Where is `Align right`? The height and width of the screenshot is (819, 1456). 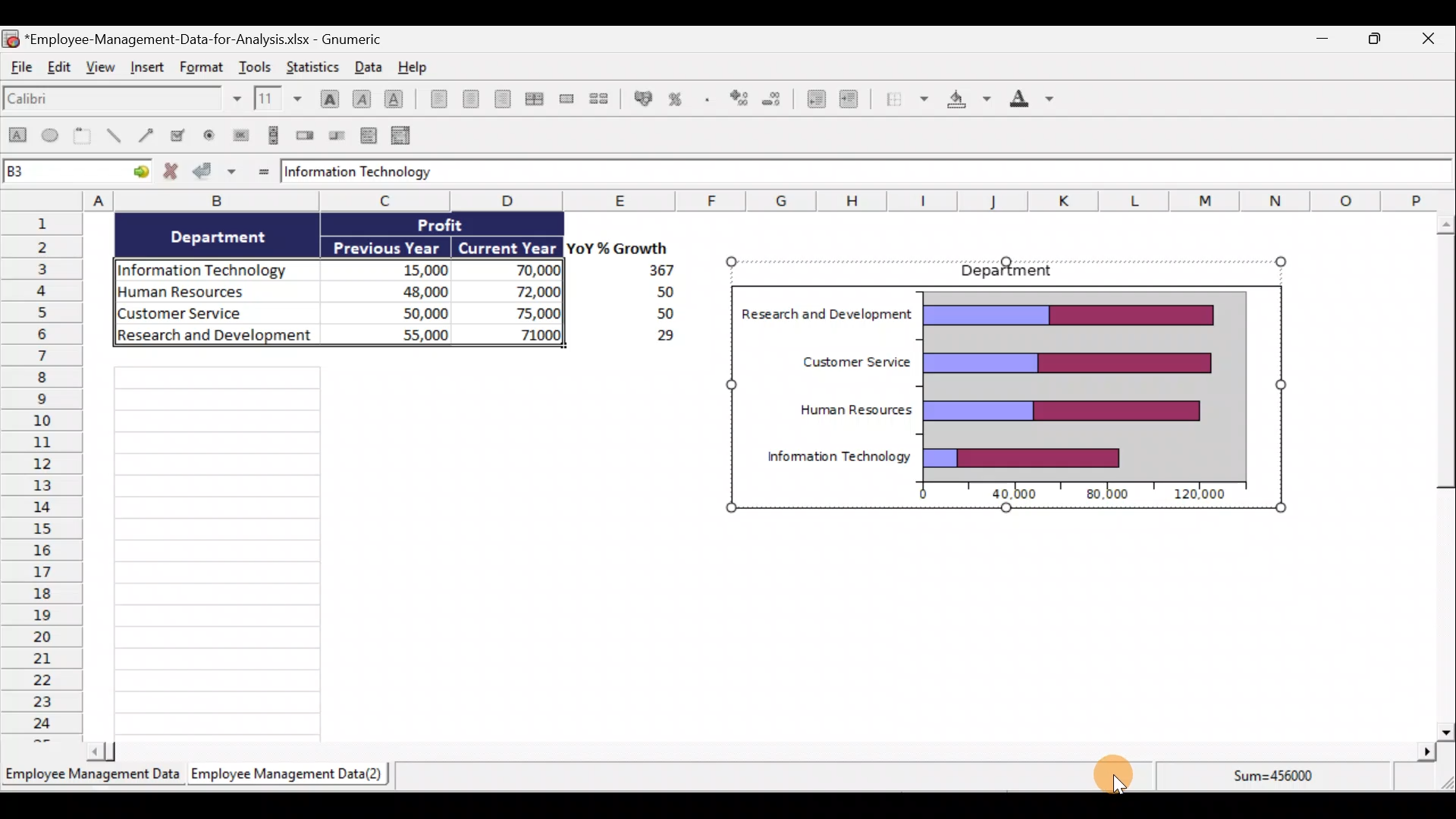
Align right is located at coordinates (507, 102).